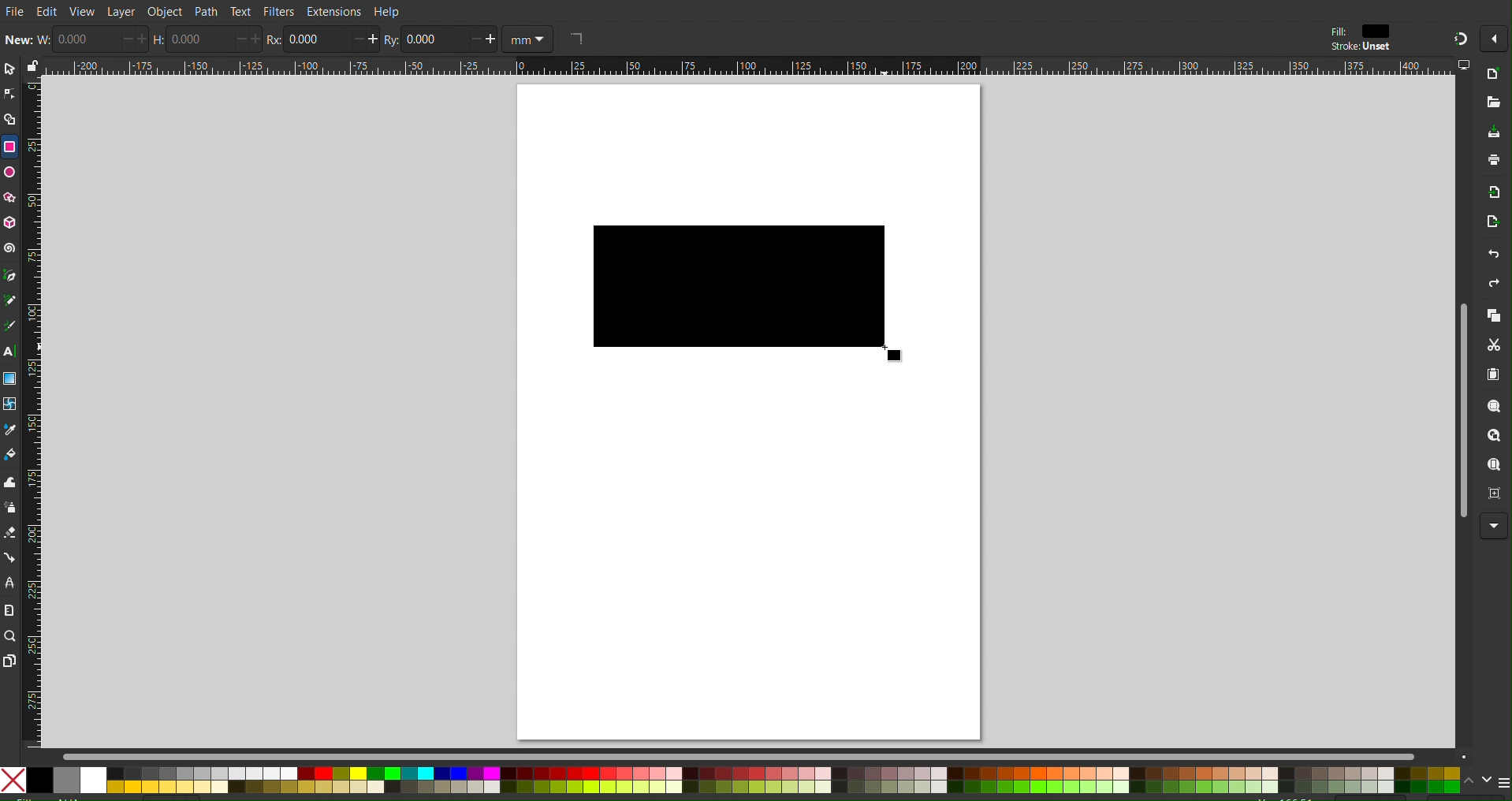 Image resolution: width=1512 pixels, height=801 pixels. I want to click on More Options, so click(1494, 38).